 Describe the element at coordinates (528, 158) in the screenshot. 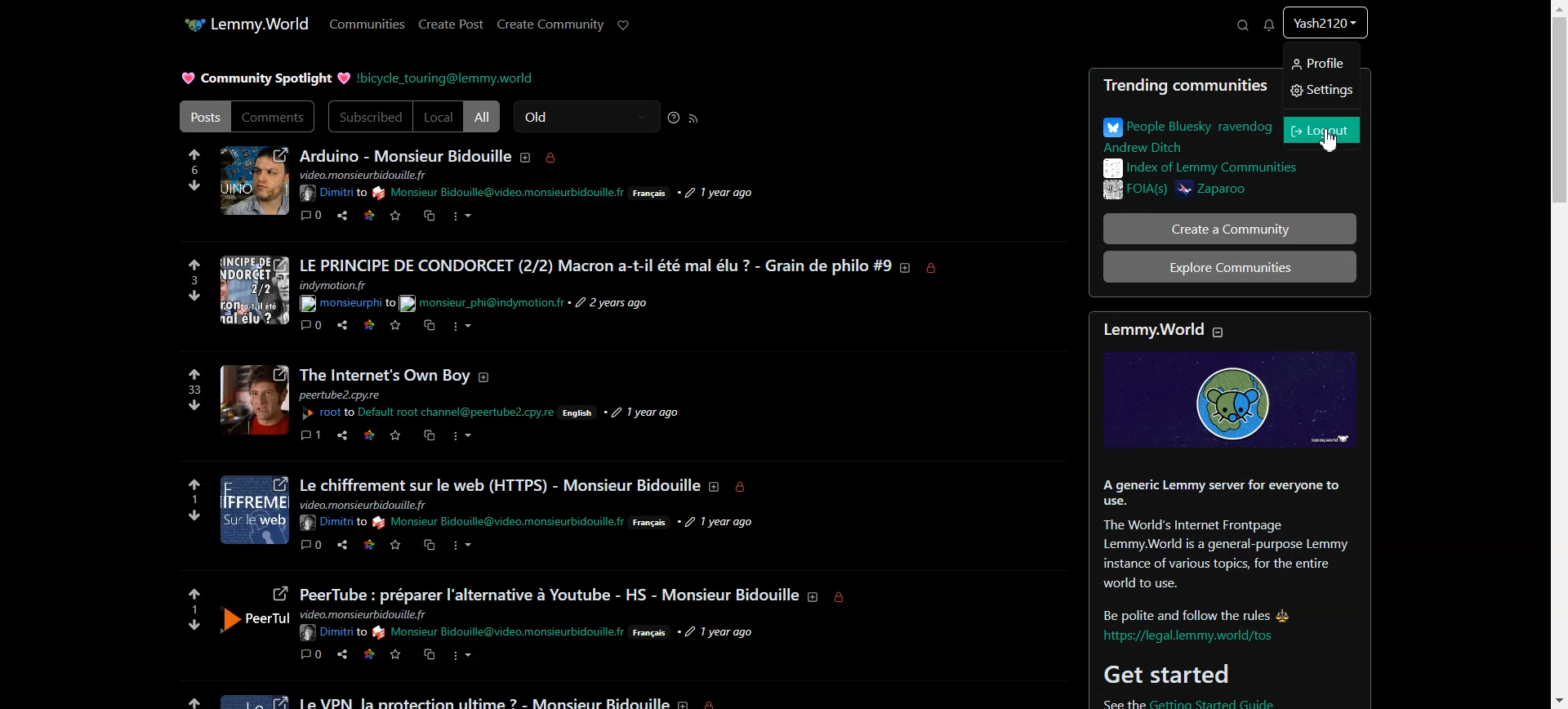

I see `About` at that location.